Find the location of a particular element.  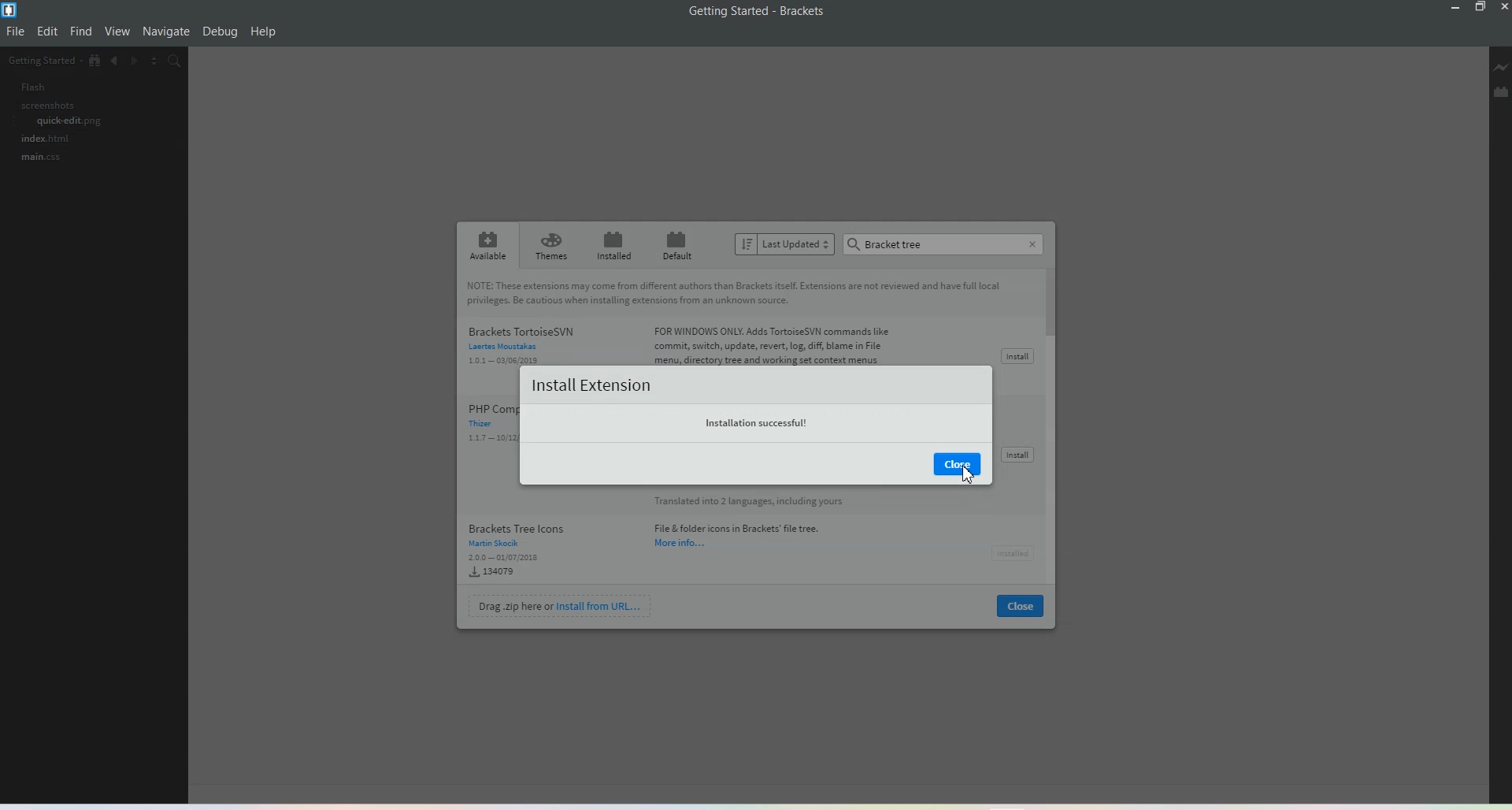

Install from URL is located at coordinates (561, 605).